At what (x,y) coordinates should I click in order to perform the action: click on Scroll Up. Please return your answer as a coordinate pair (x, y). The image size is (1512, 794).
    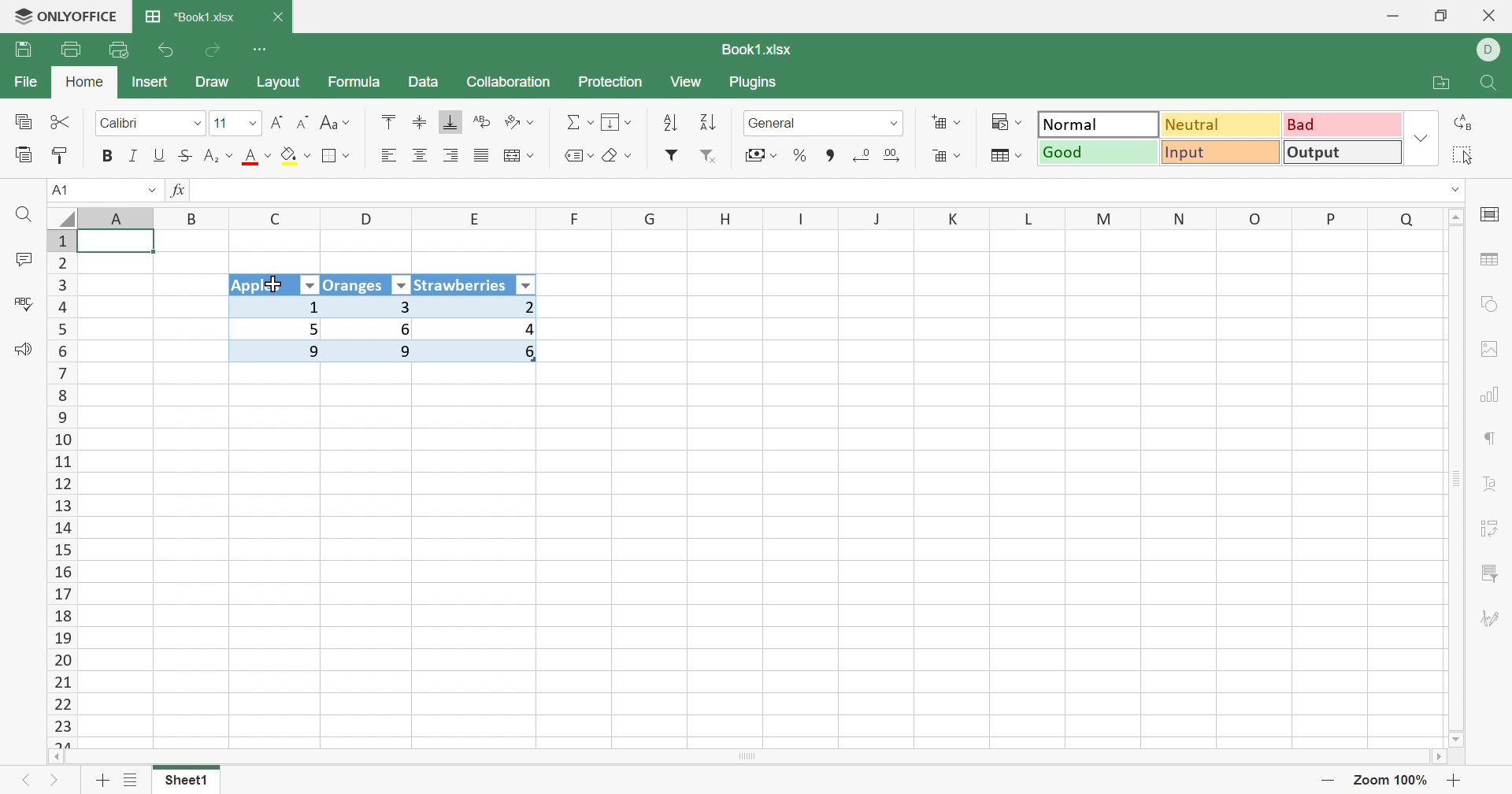
    Looking at the image, I should click on (1458, 215).